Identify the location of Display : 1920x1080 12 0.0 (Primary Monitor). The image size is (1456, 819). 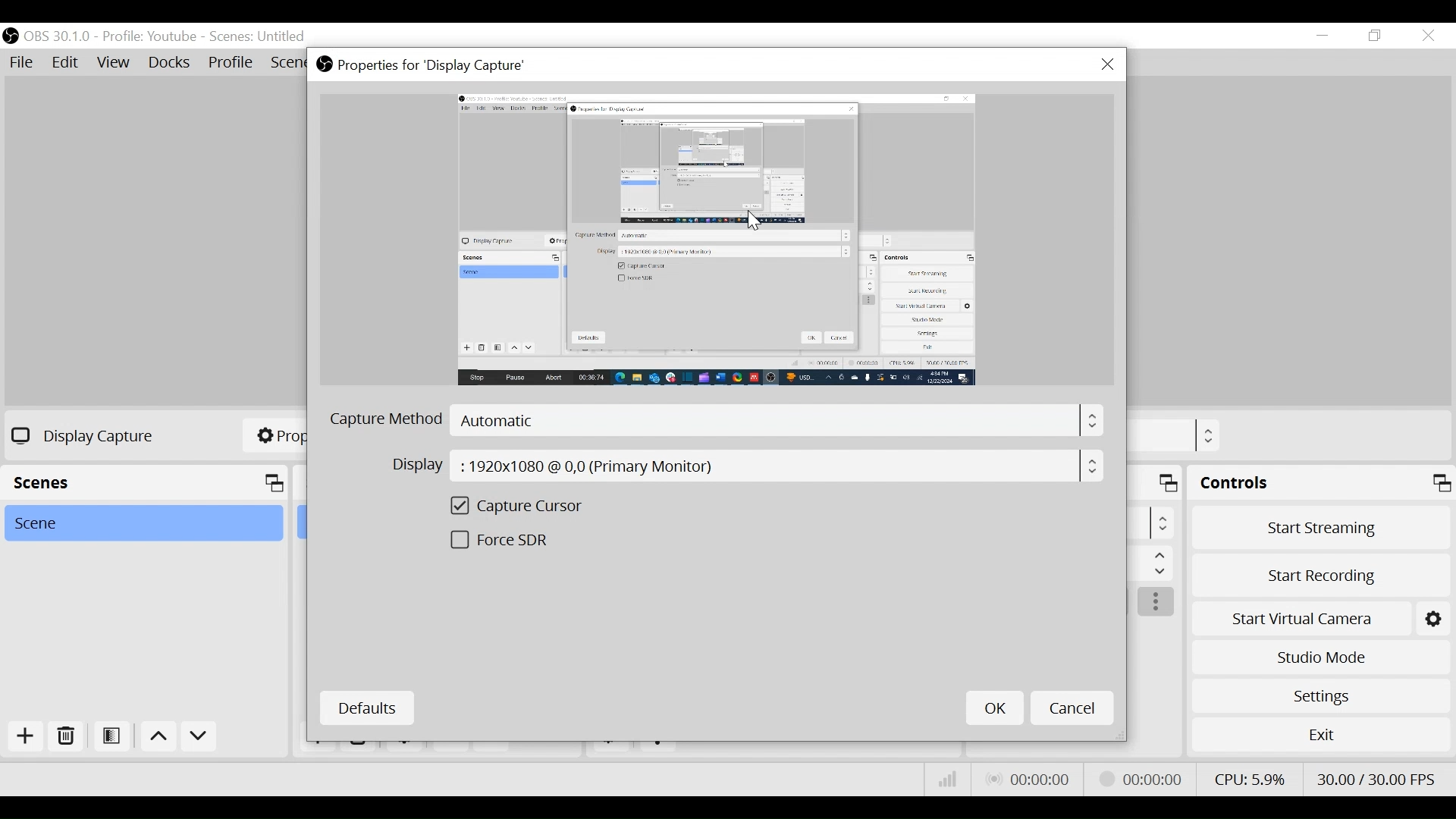
(745, 466).